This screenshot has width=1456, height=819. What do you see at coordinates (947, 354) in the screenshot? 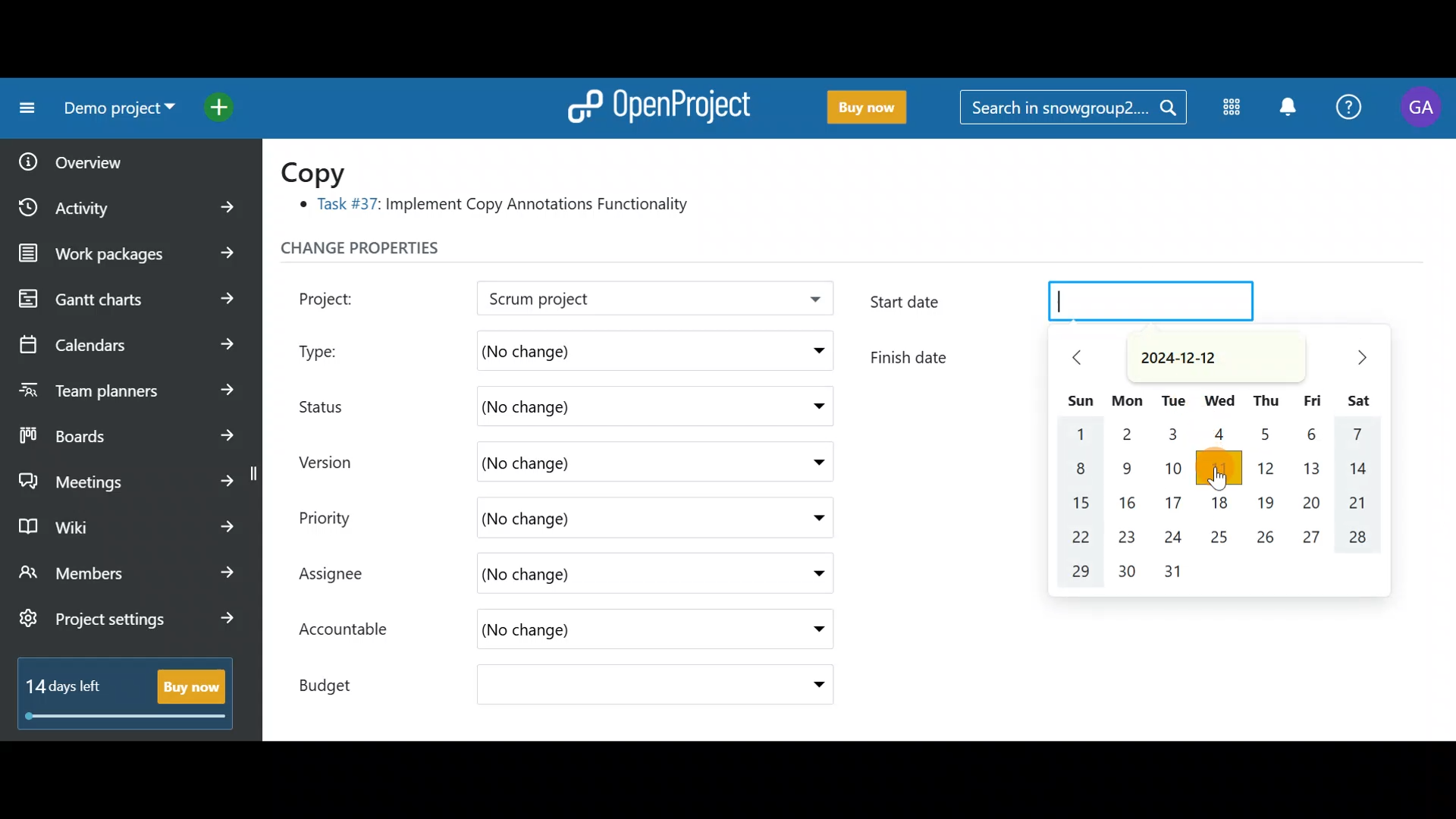
I see `Finish date` at bounding box center [947, 354].